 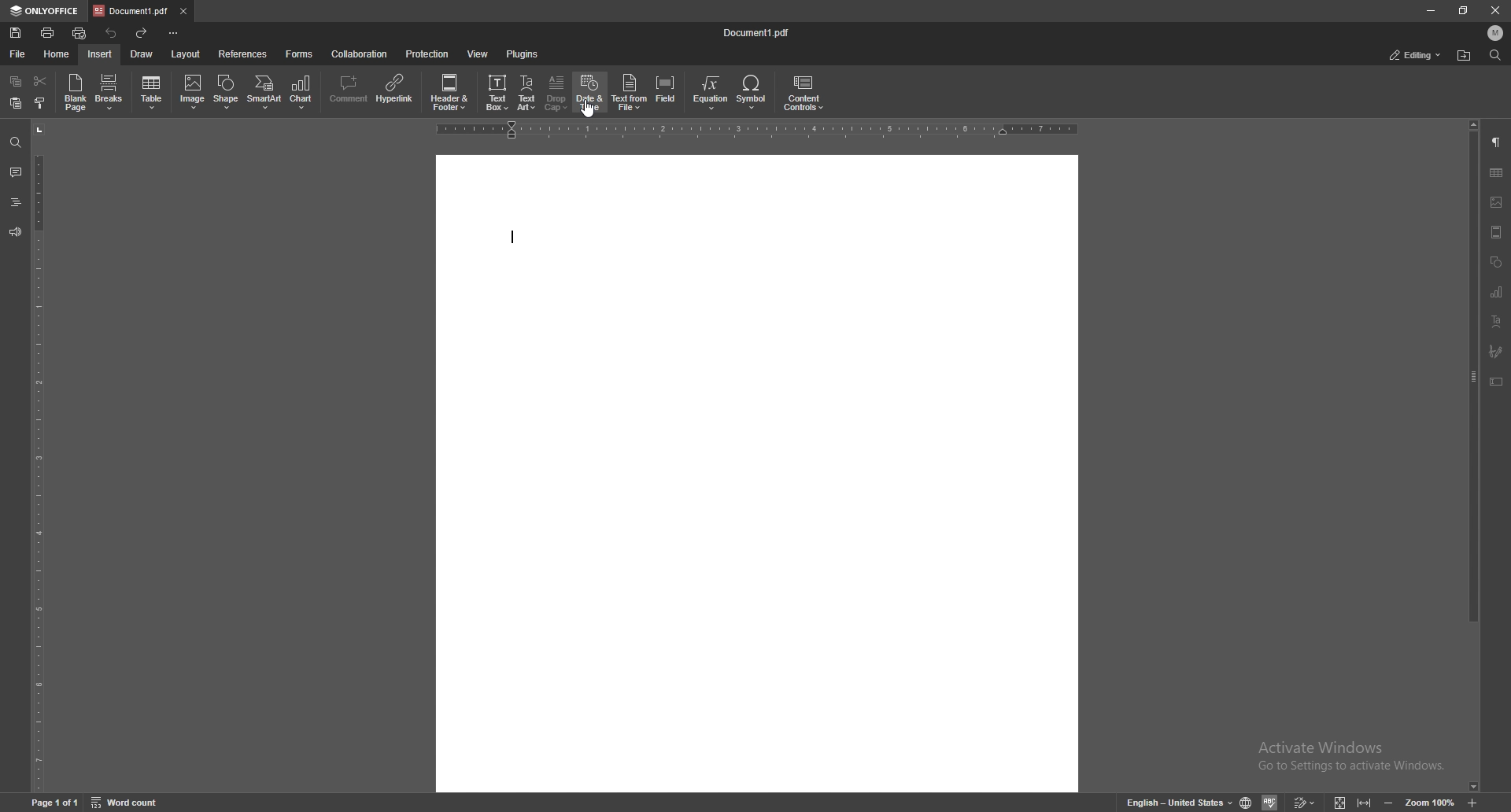 I want to click on find in folder, so click(x=1464, y=56).